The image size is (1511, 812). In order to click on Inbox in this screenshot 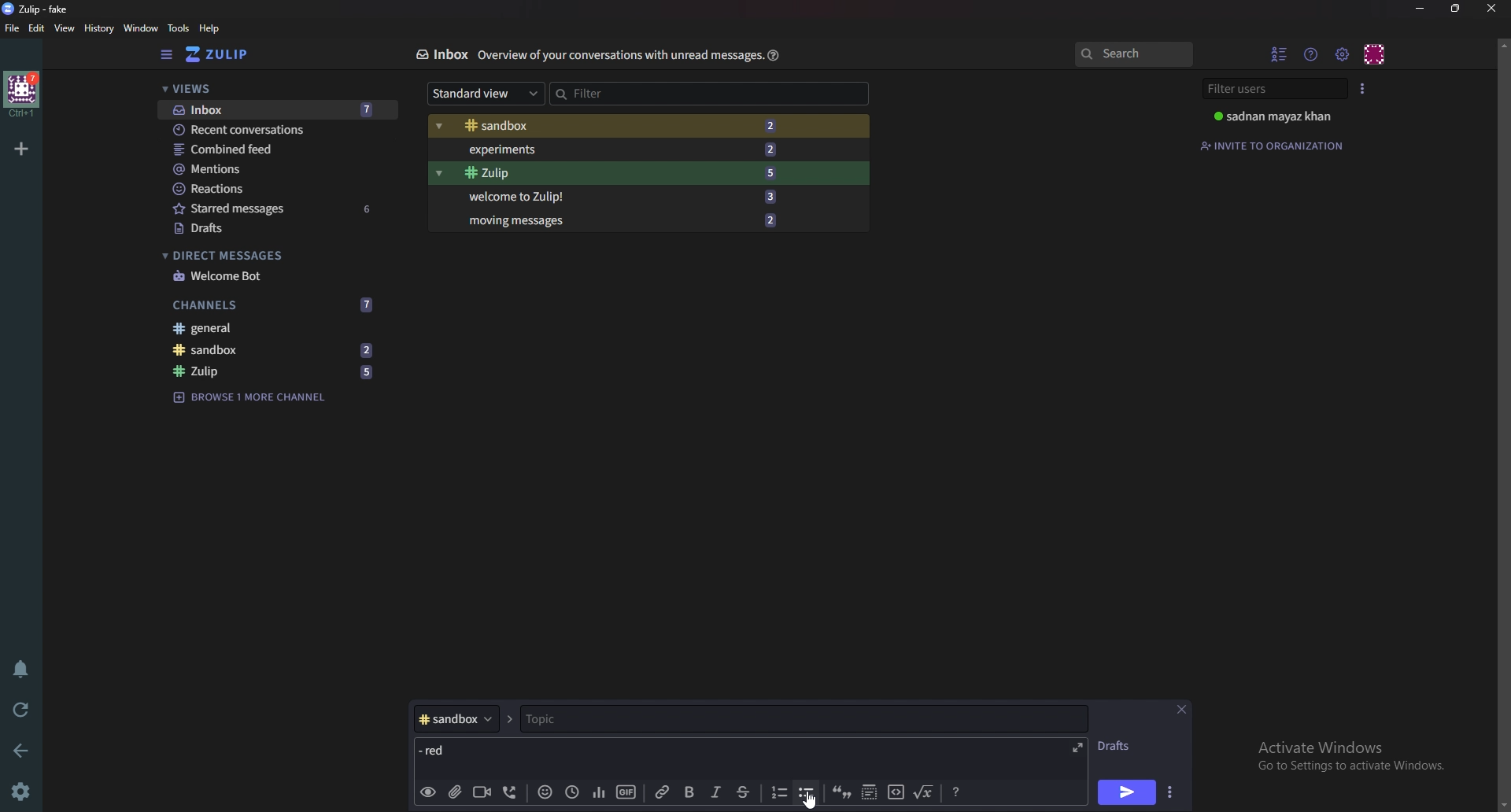, I will do `click(441, 54)`.